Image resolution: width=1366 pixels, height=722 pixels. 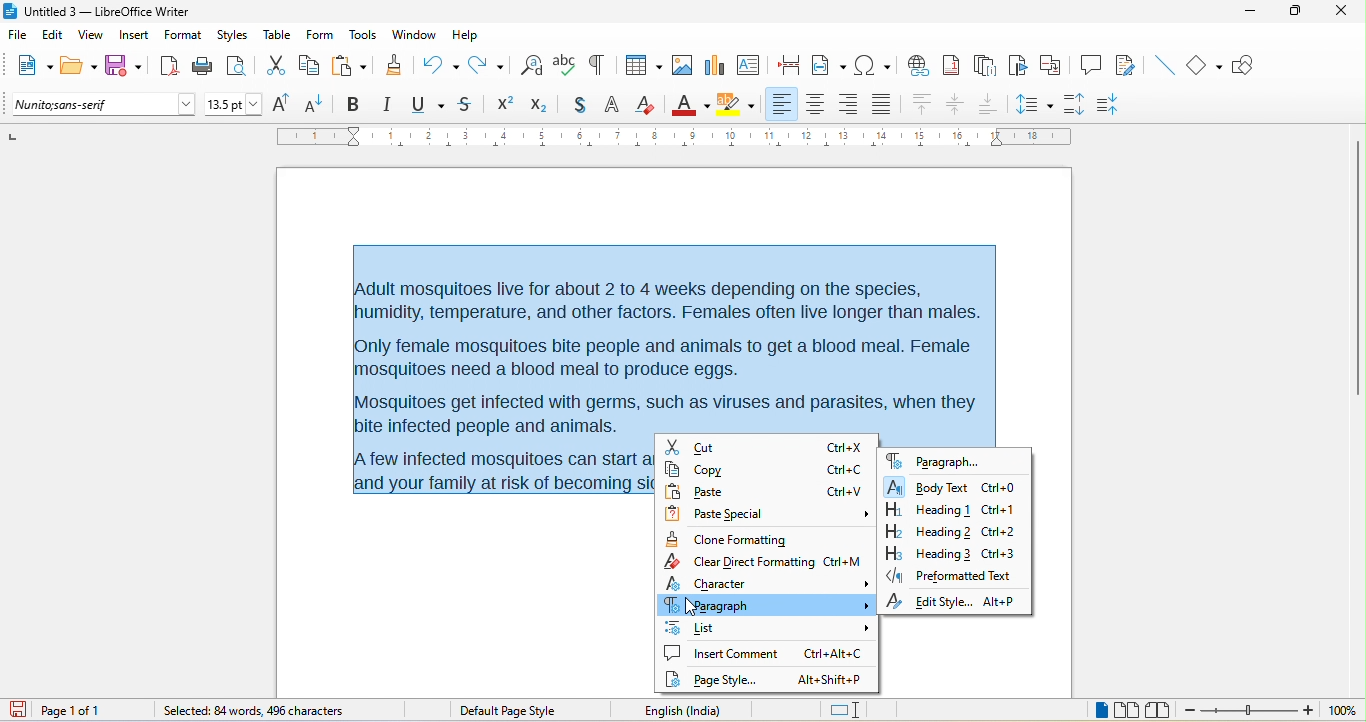 I want to click on book view, so click(x=1162, y=710).